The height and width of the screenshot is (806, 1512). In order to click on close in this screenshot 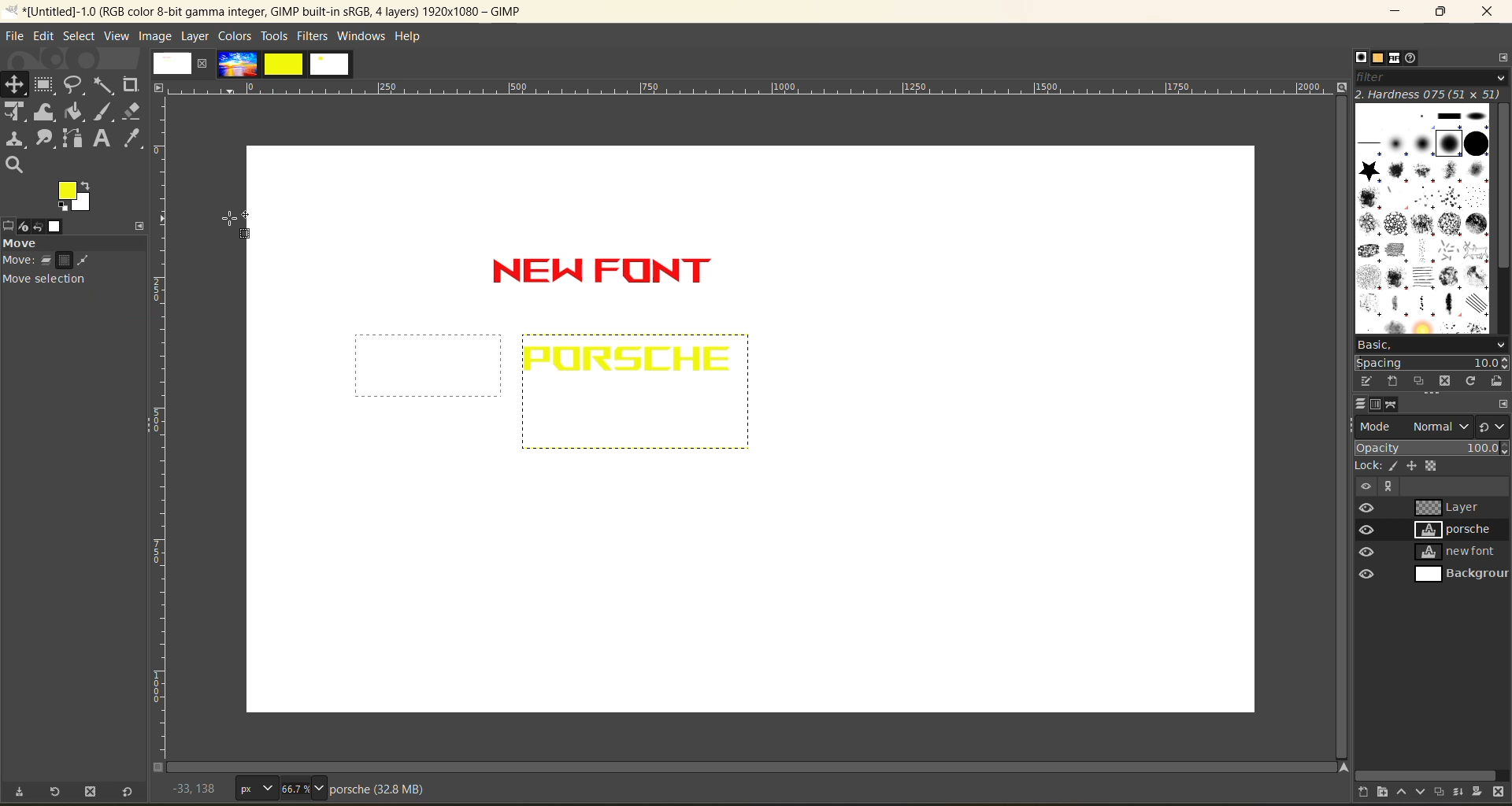, I will do `click(202, 63)`.